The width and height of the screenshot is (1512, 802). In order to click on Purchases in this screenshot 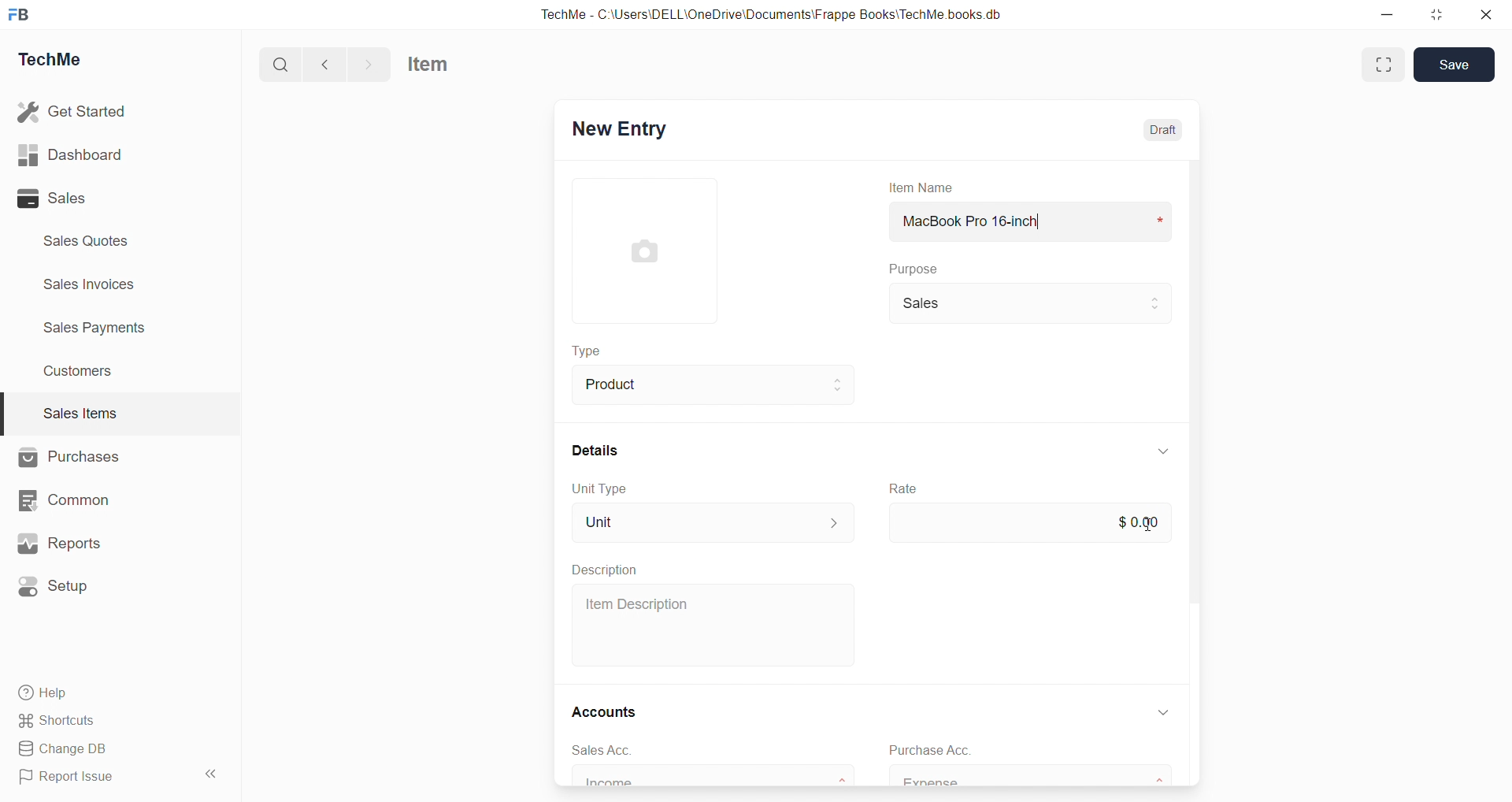, I will do `click(70, 458)`.